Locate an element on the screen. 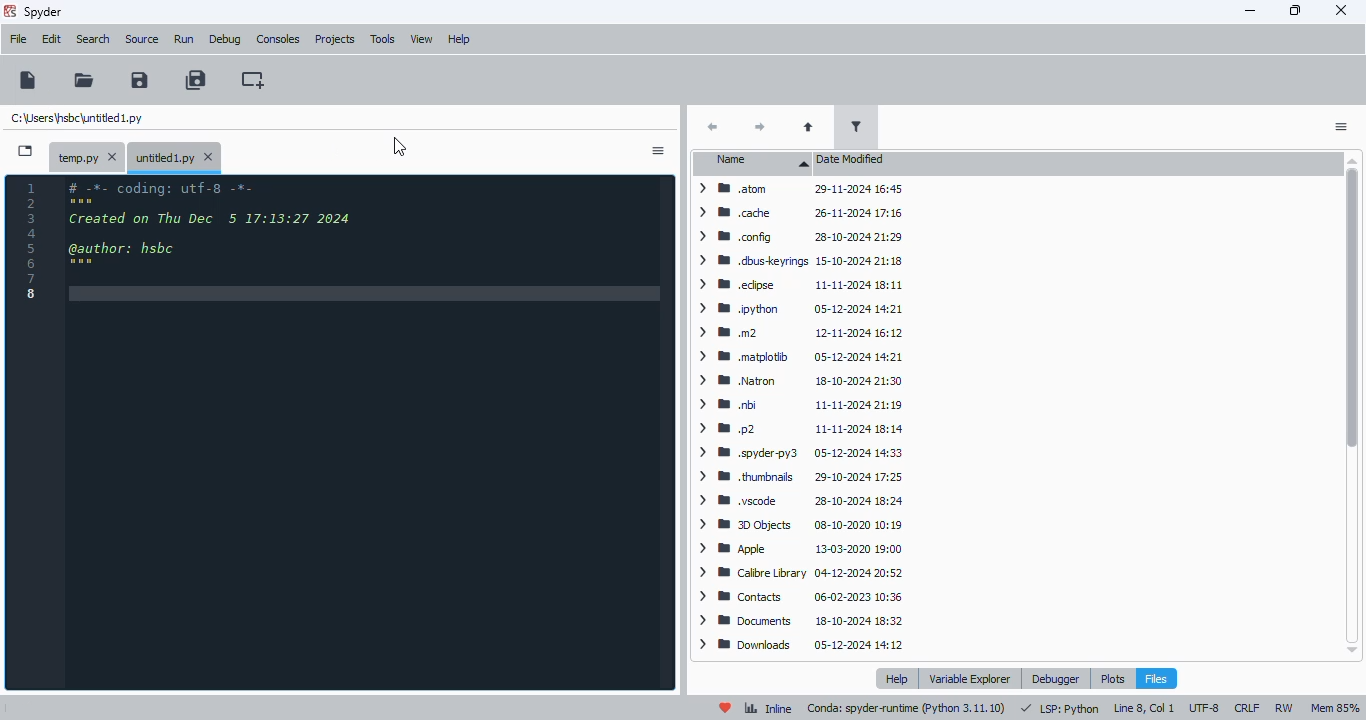 The image size is (1366, 720). save file is located at coordinates (139, 79).